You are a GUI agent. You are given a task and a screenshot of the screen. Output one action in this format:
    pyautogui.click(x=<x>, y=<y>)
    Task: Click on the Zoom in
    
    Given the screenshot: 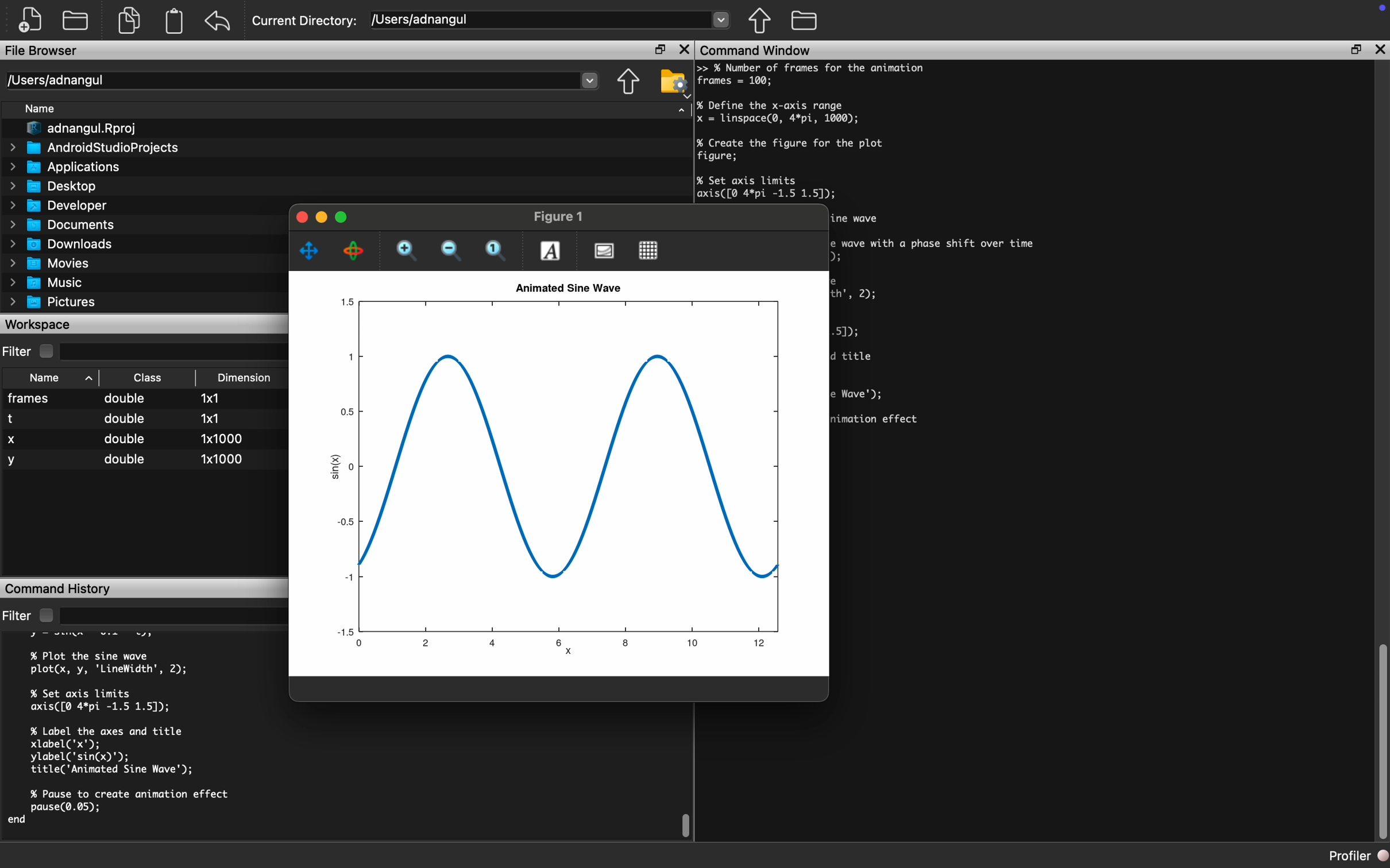 What is the action you would take?
    pyautogui.click(x=408, y=253)
    